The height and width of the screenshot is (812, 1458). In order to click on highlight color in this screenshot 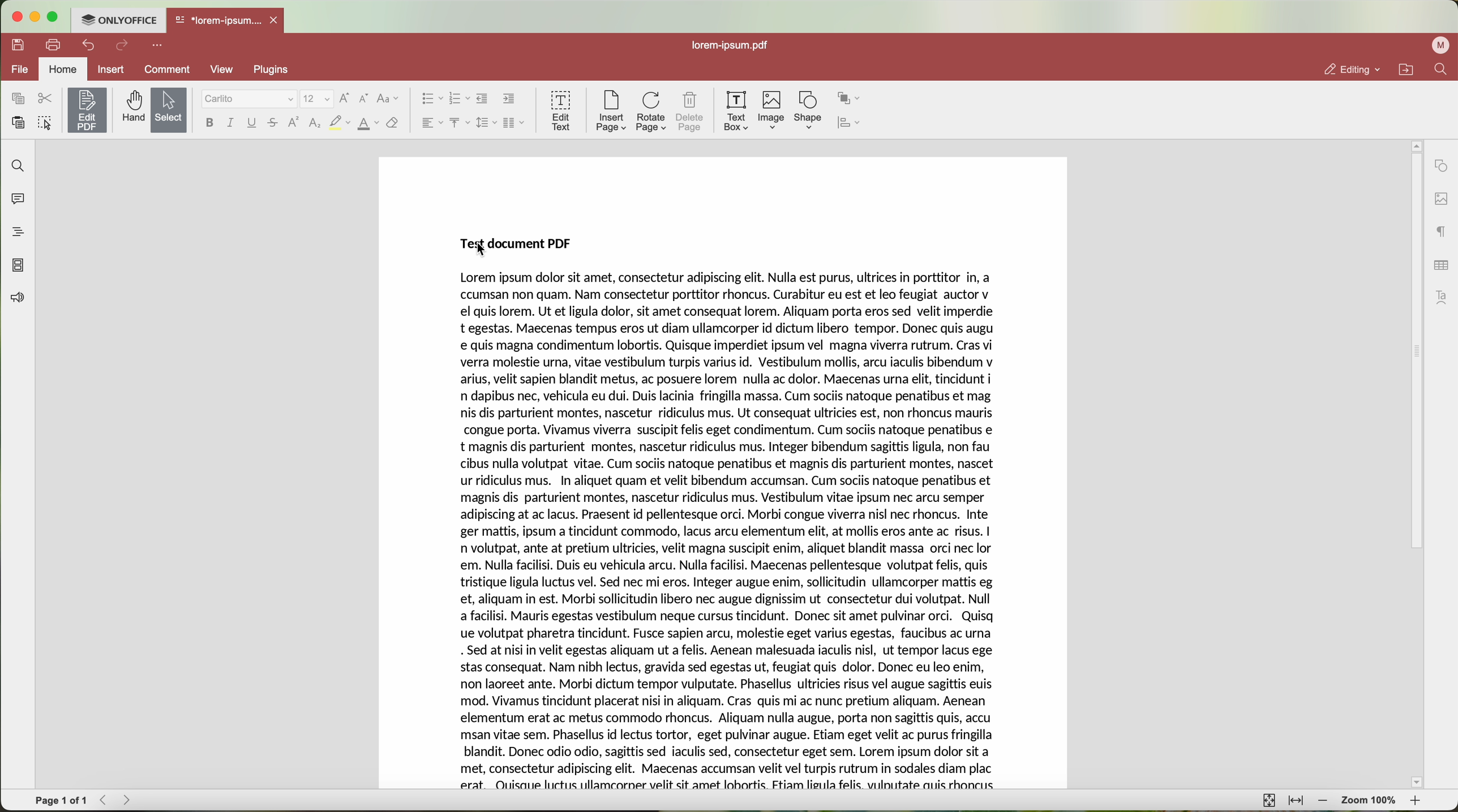, I will do `click(339, 123)`.